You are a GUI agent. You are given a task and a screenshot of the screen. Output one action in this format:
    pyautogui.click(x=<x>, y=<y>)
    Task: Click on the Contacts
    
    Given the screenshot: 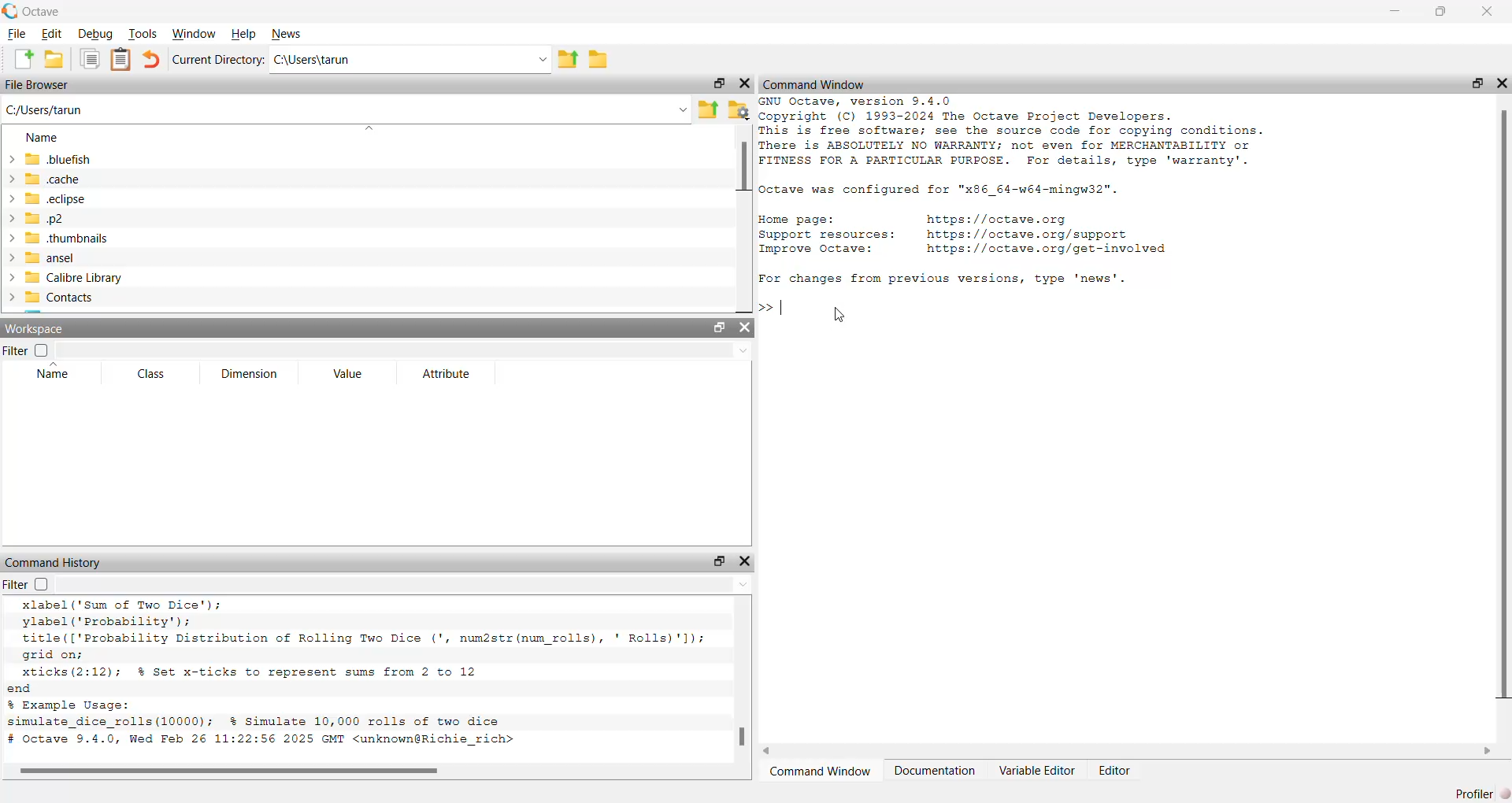 What is the action you would take?
    pyautogui.click(x=54, y=300)
    